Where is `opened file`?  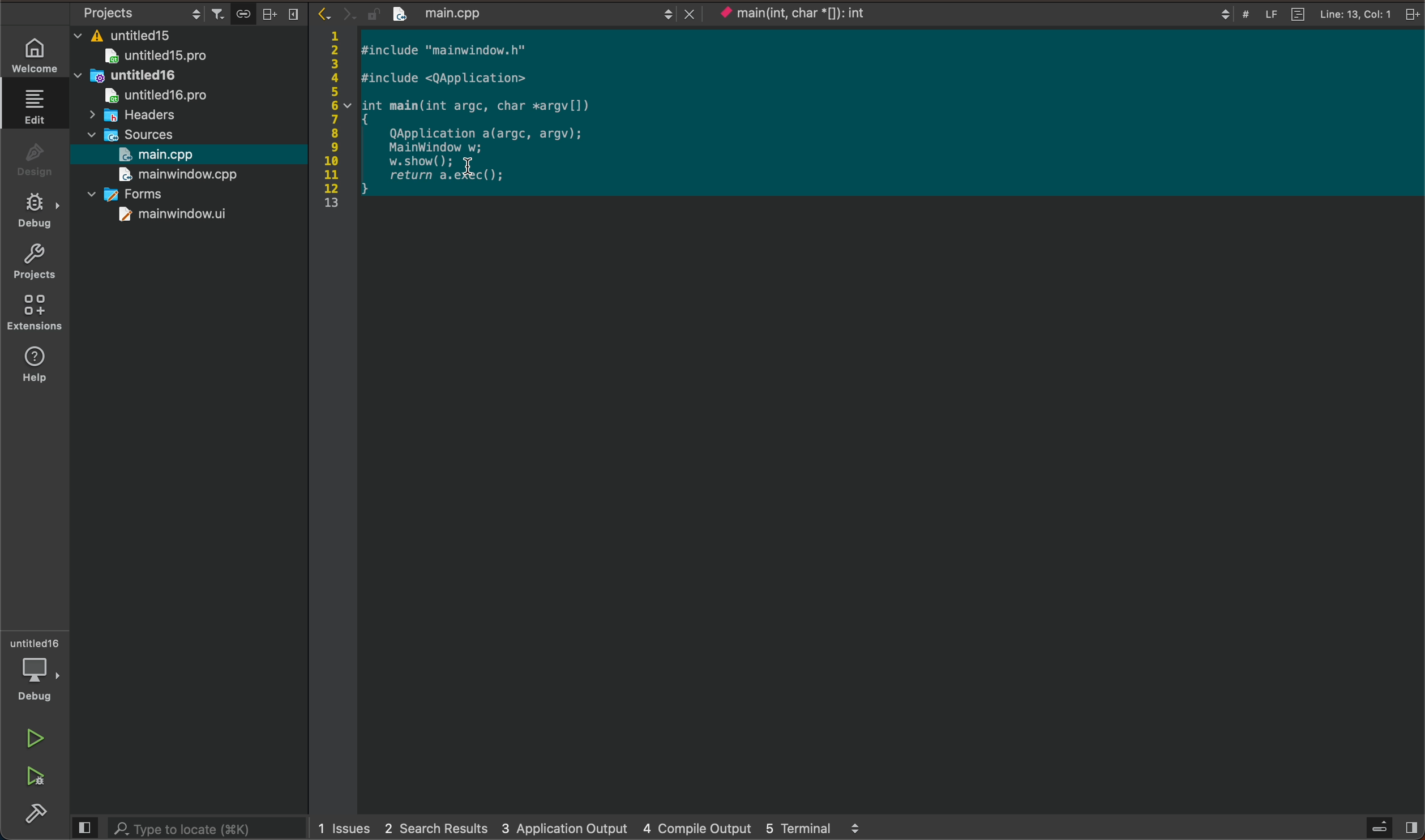
opened file is located at coordinates (540, 14).